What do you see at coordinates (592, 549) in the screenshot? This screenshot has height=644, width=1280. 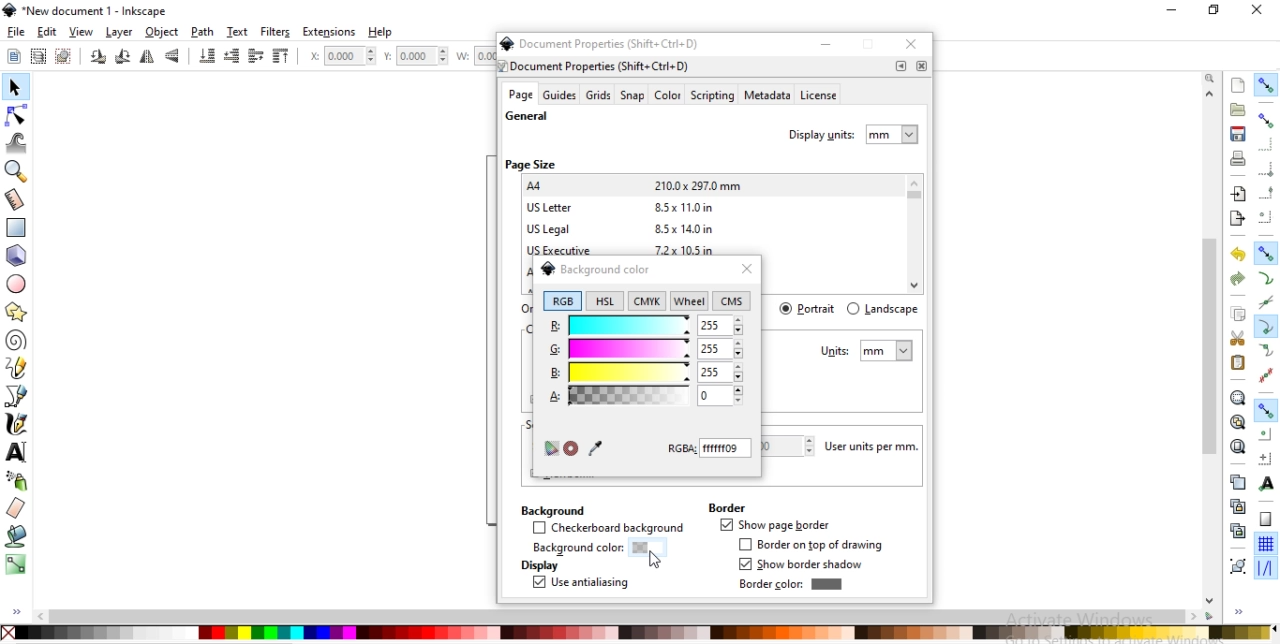 I see `background color` at bounding box center [592, 549].